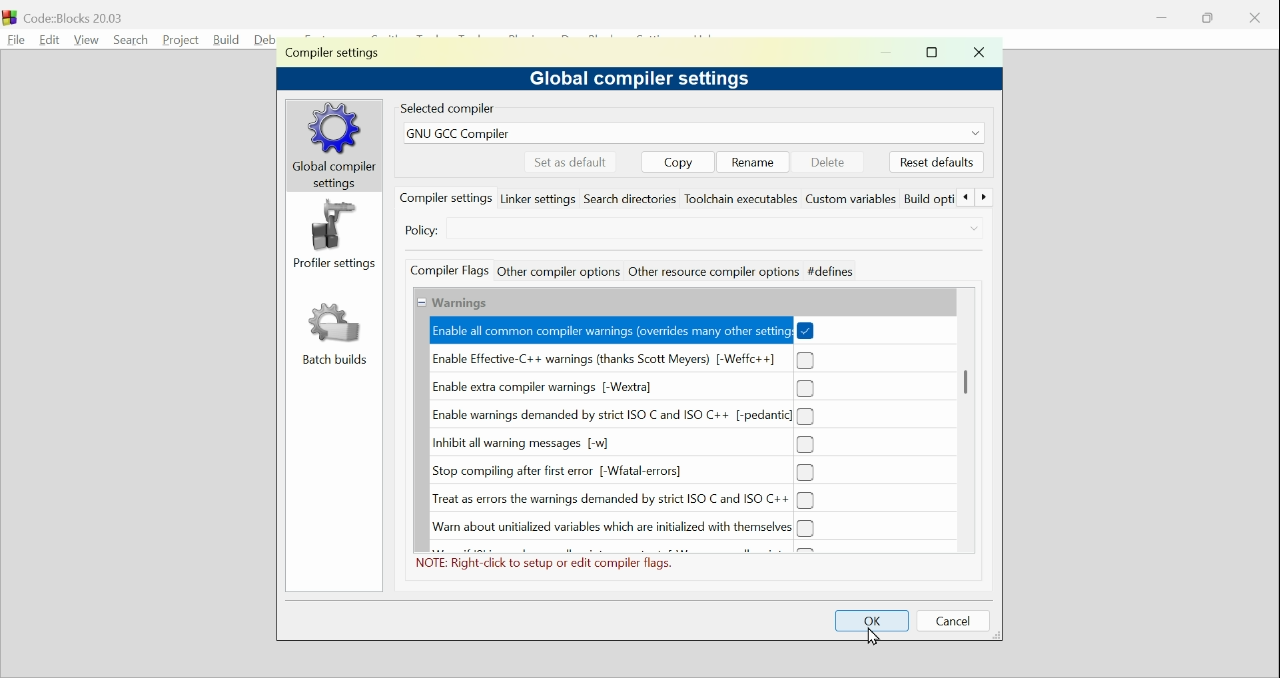 The image size is (1280, 678). Describe the element at coordinates (623, 416) in the screenshot. I see `(un)check Enable warnings demanded by strict ISO C and ISO C++` at that location.